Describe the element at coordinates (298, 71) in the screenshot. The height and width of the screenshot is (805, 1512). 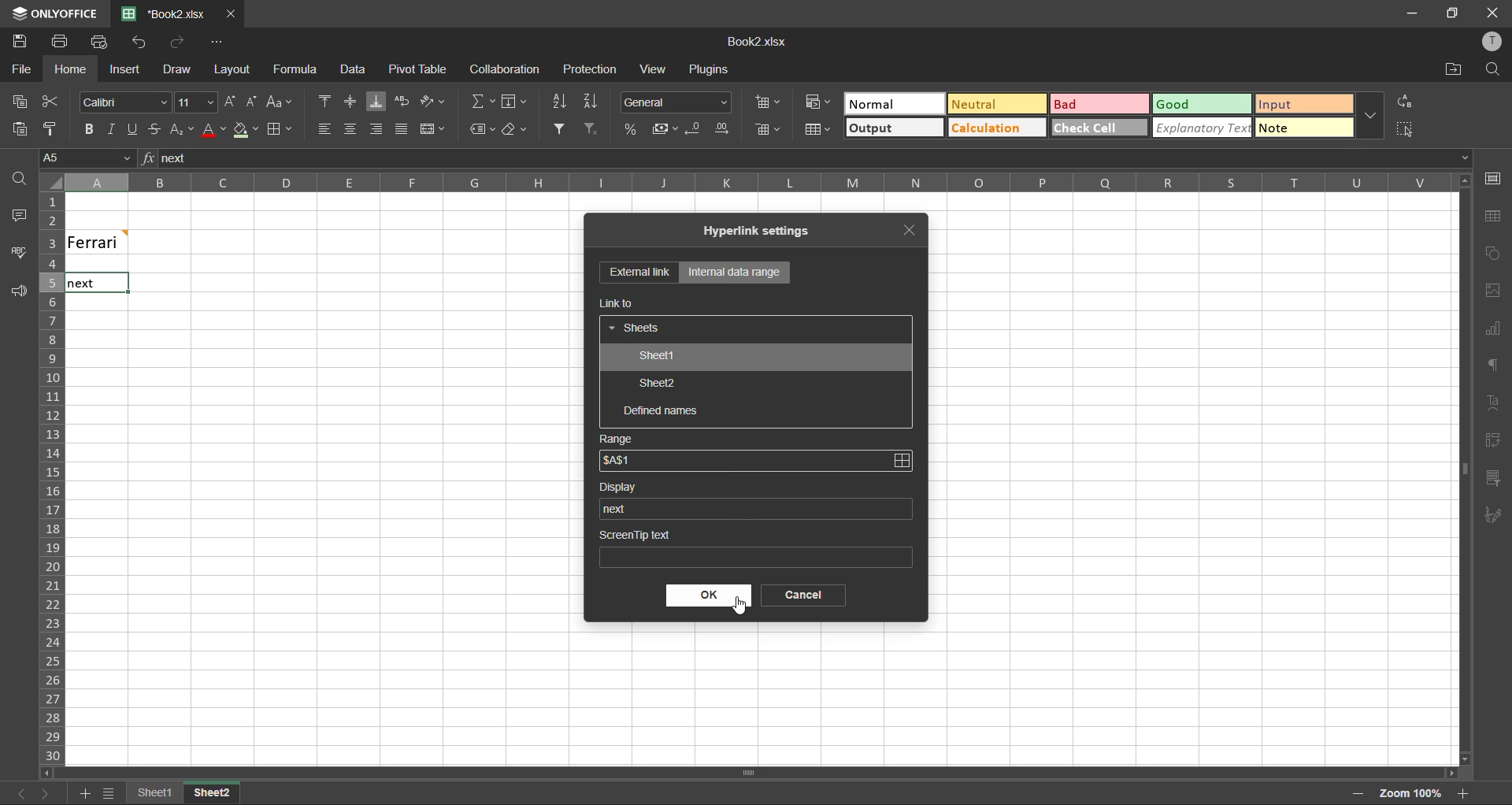
I see `formula` at that location.